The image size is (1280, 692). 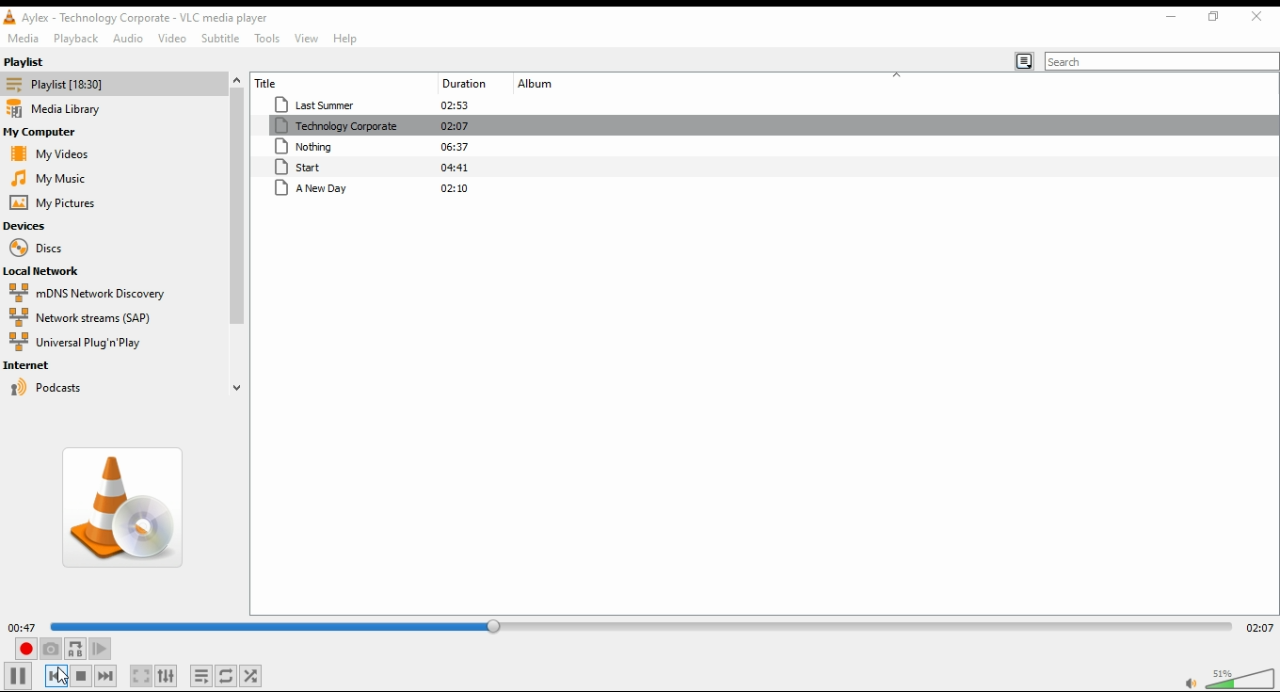 What do you see at coordinates (43, 60) in the screenshot?
I see `playlist` at bounding box center [43, 60].